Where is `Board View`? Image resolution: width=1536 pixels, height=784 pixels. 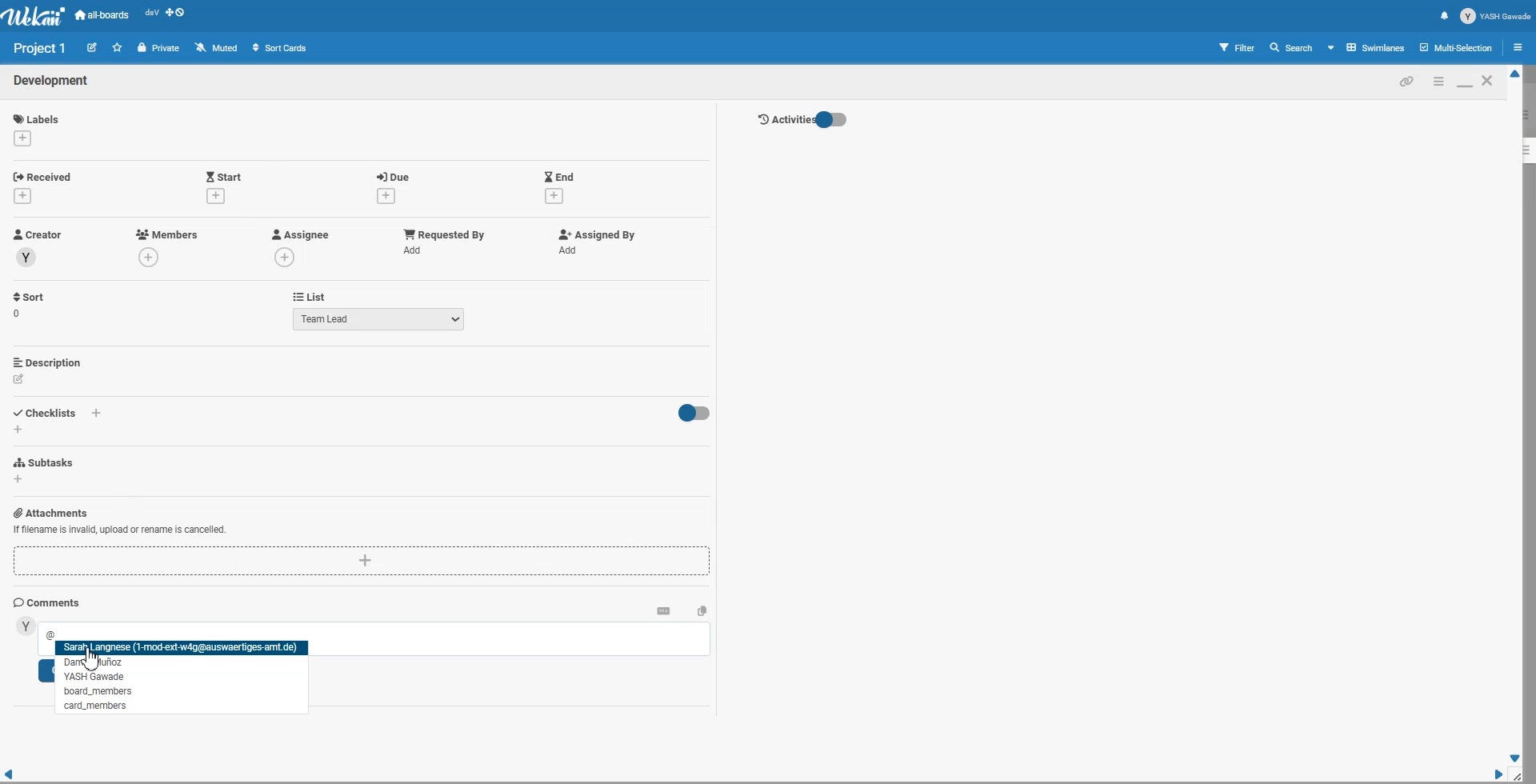
Board View is located at coordinates (1367, 47).